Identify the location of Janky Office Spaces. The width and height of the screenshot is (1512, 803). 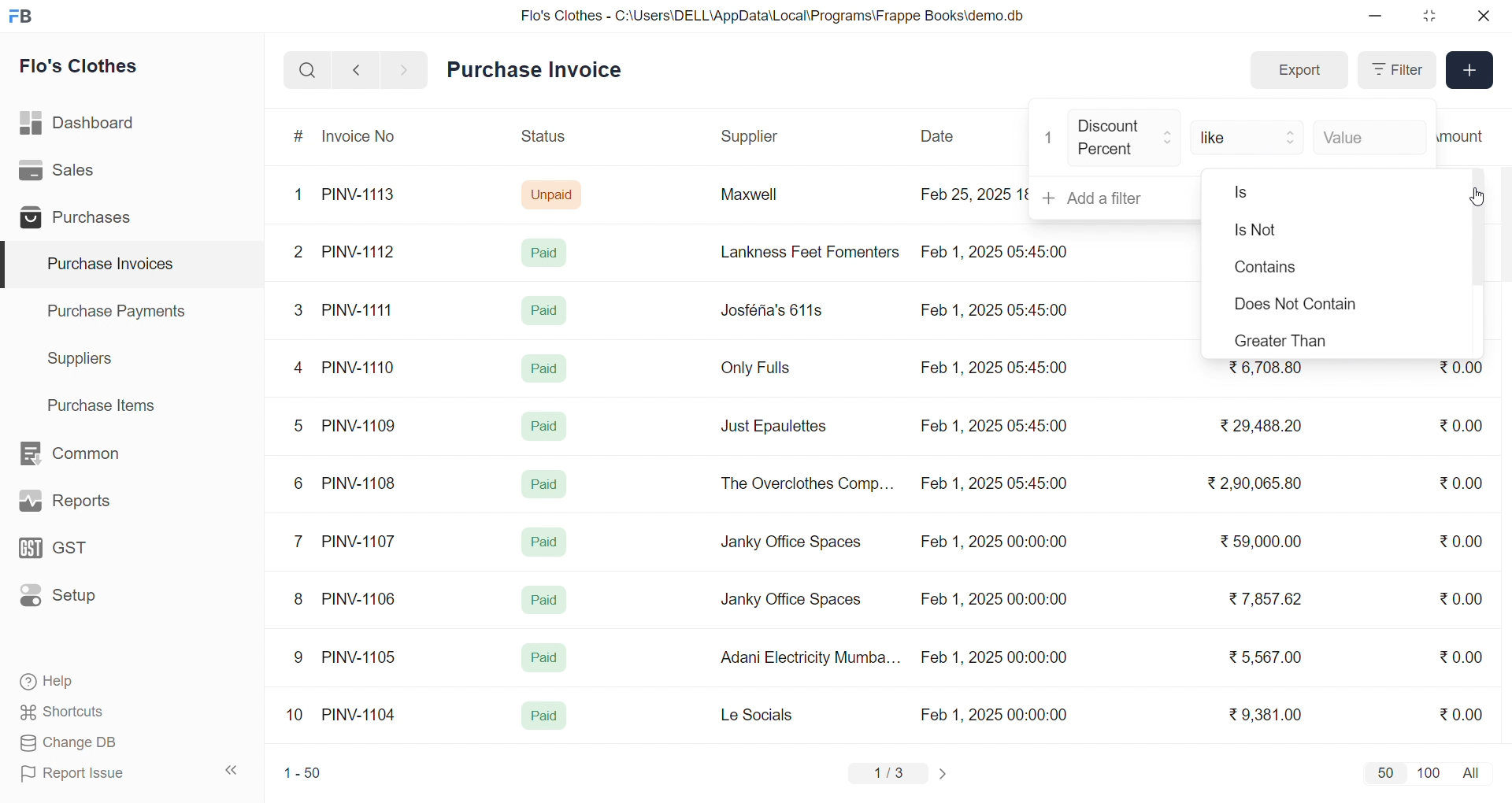
(792, 543).